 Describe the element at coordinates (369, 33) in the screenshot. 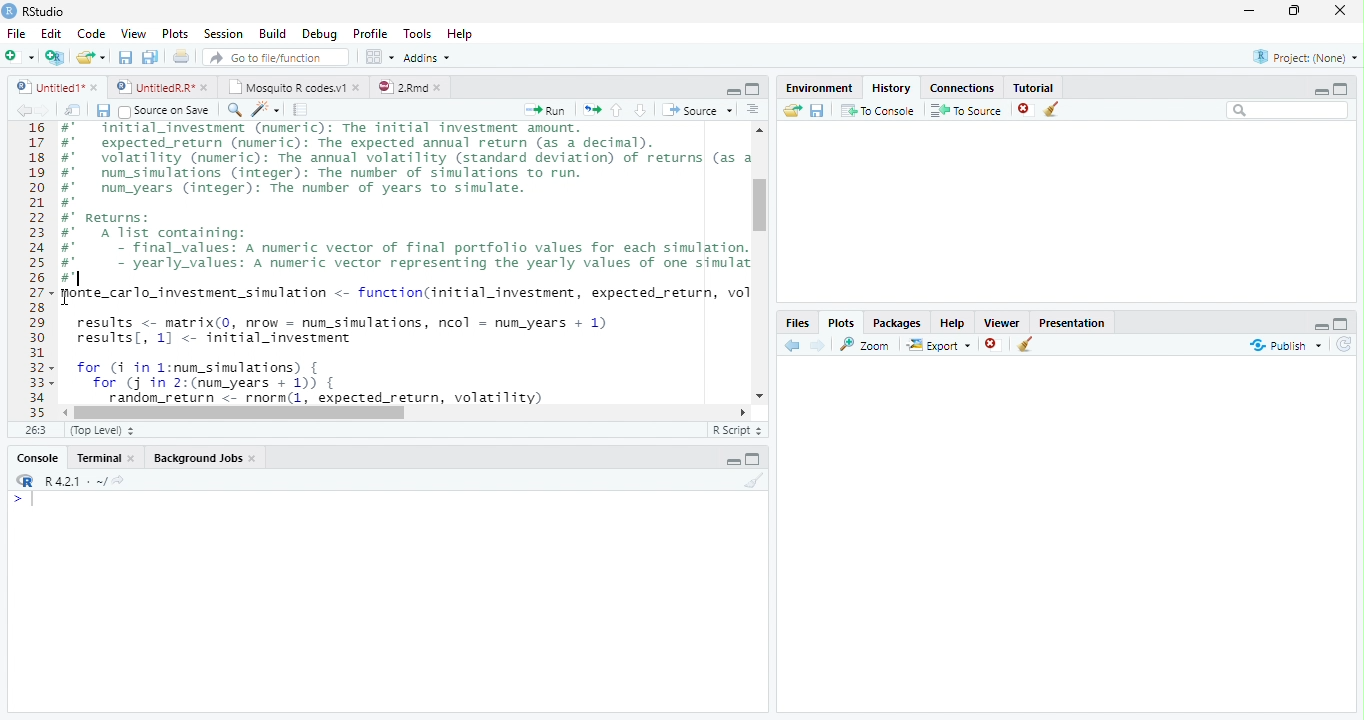

I see `Profile` at that location.